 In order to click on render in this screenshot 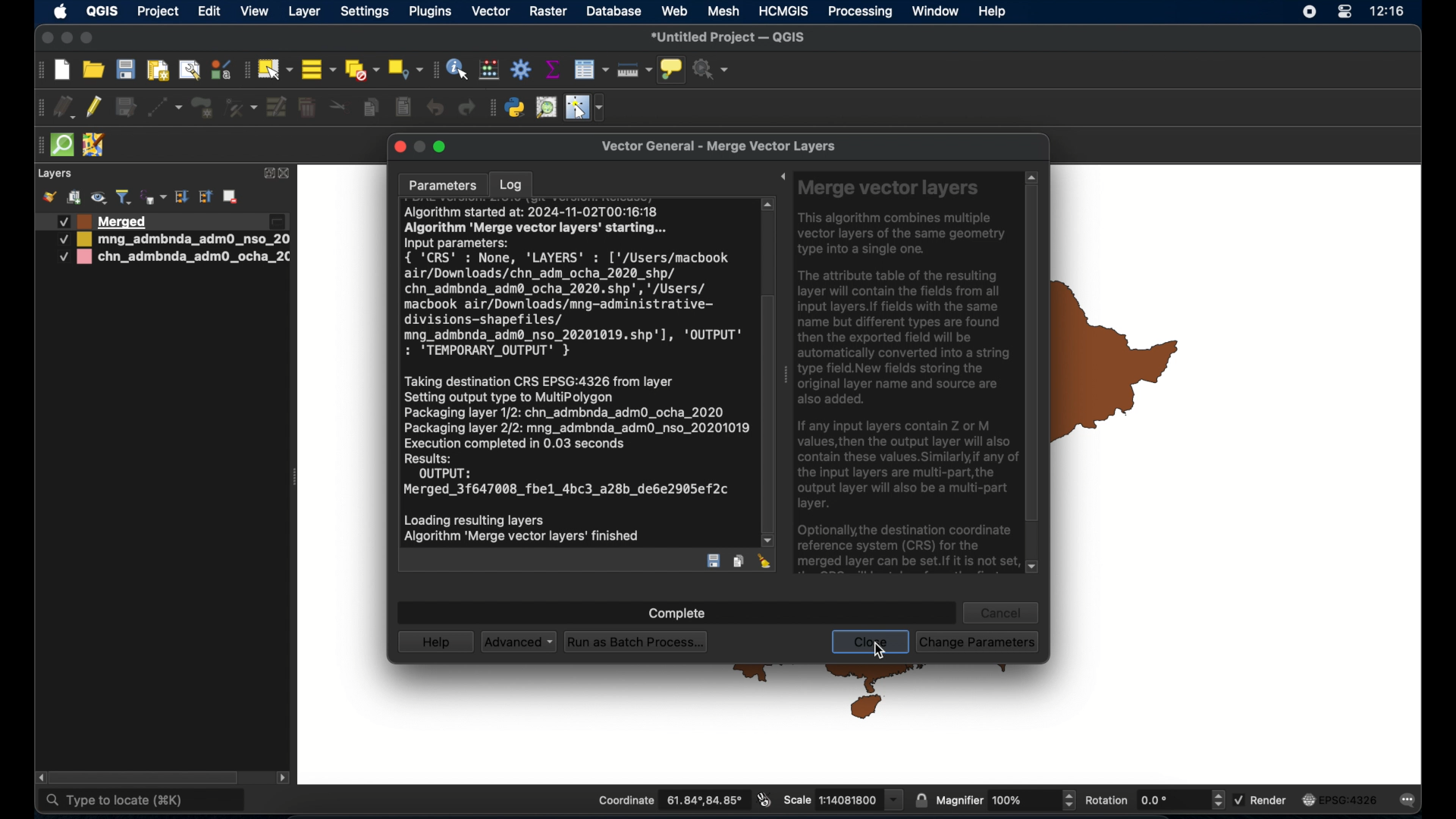, I will do `click(1262, 799)`.